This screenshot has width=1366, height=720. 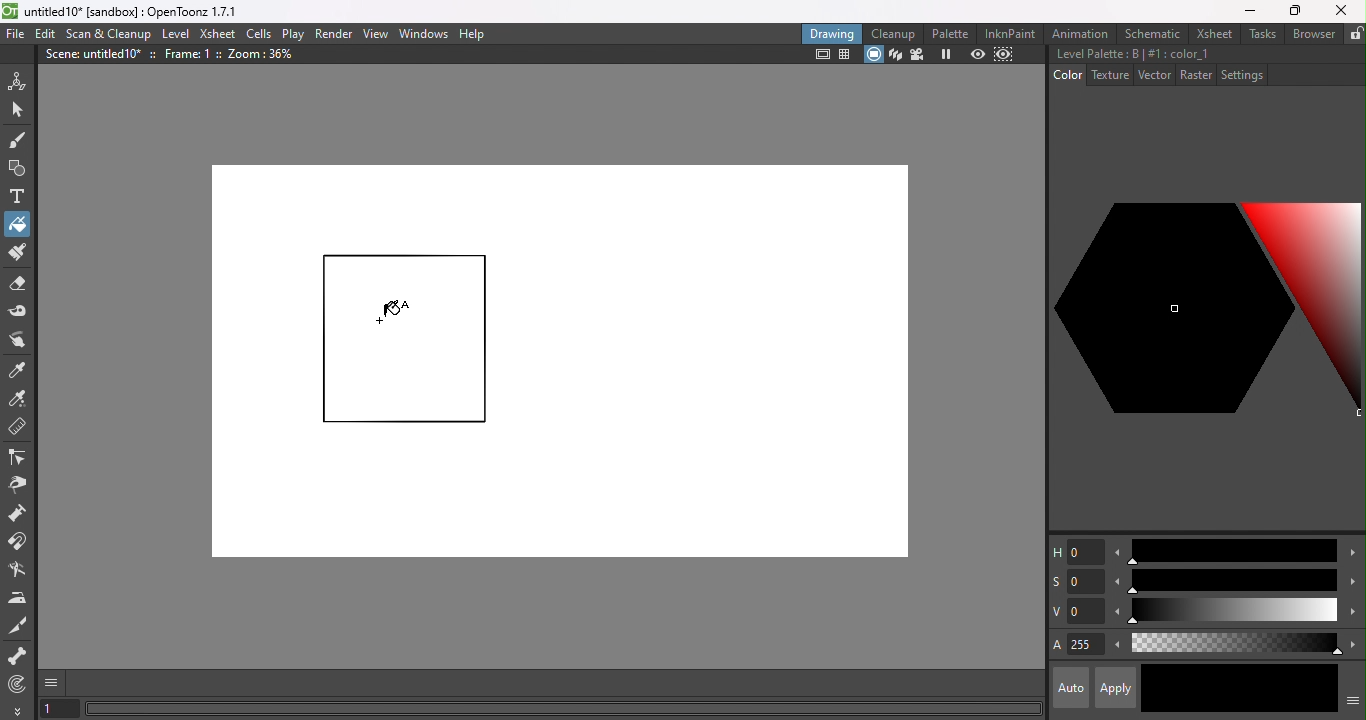 I want to click on Play, so click(x=292, y=33).